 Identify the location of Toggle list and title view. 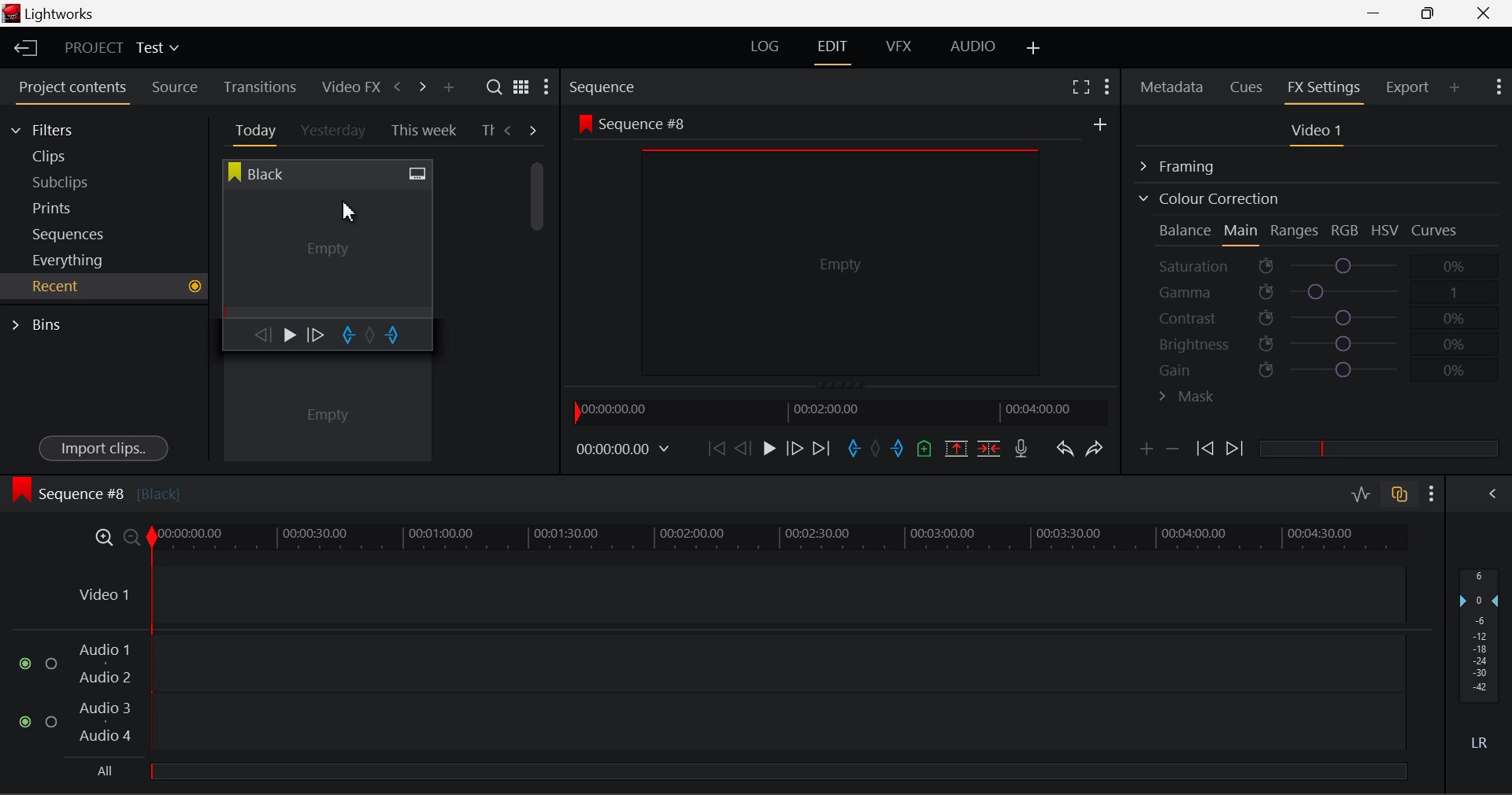
(521, 87).